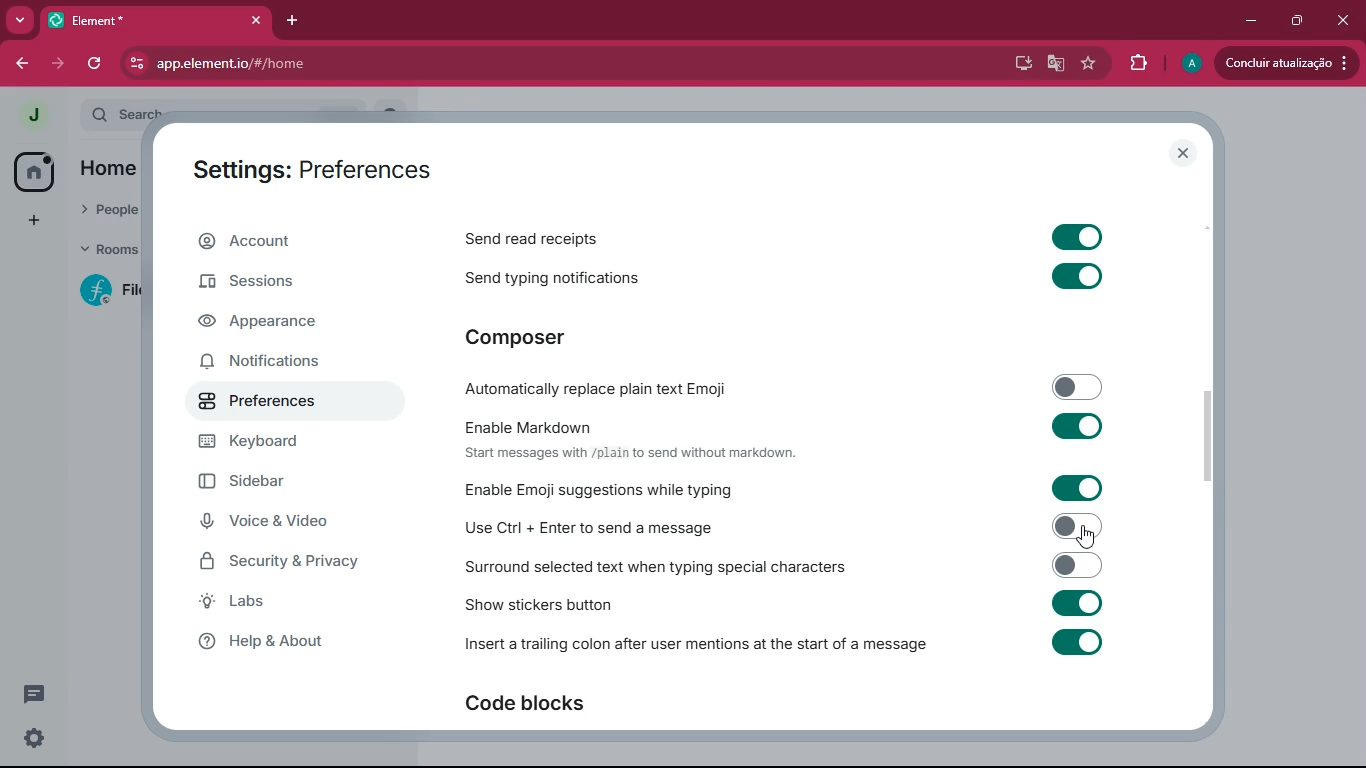 The image size is (1366, 768). Describe the element at coordinates (1247, 21) in the screenshot. I see `minimize` at that location.